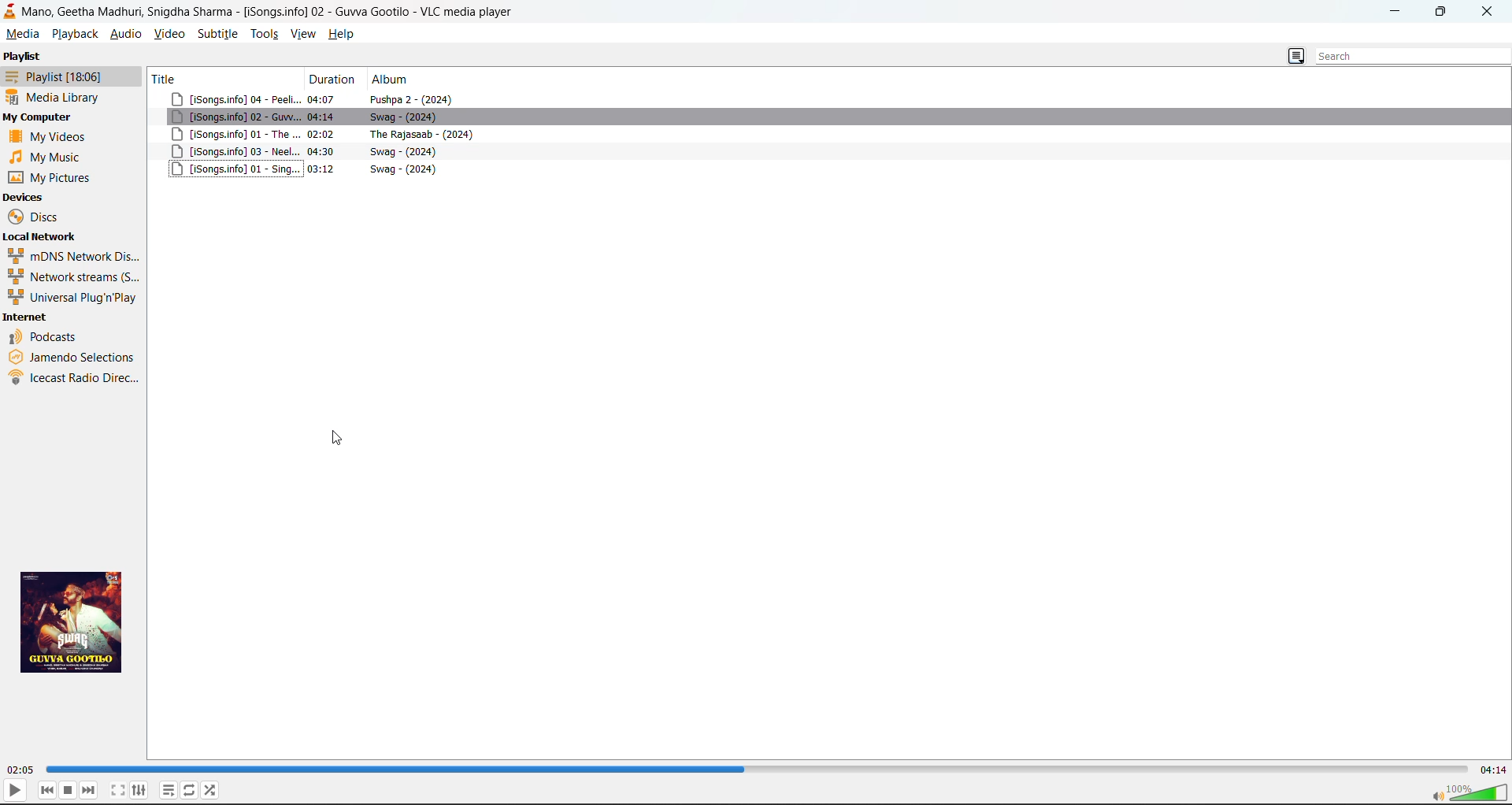 The image size is (1512, 805). I want to click on search, so click(1406, 57).